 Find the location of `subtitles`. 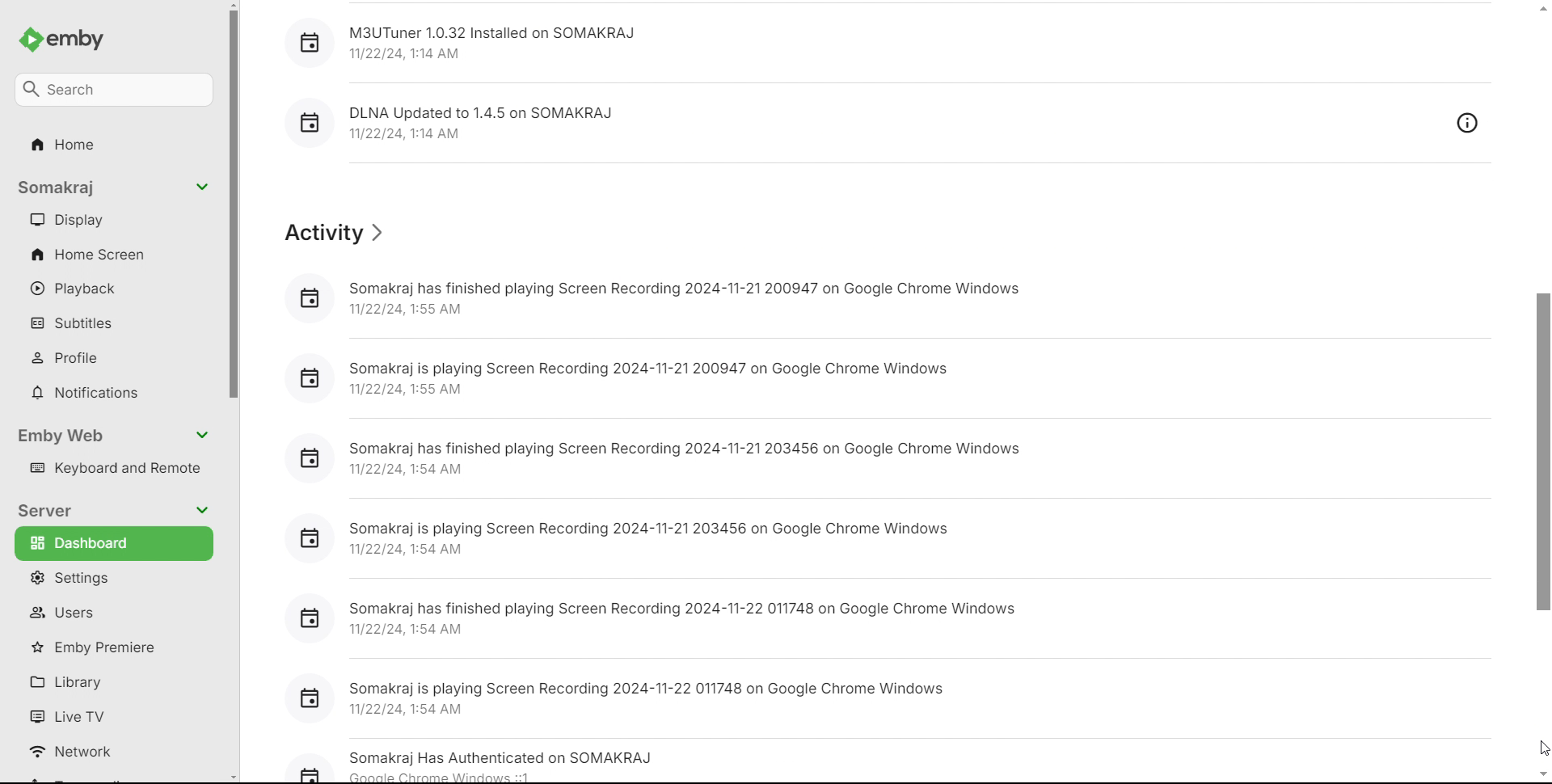

subtitles is located at coordinates (115, 322).